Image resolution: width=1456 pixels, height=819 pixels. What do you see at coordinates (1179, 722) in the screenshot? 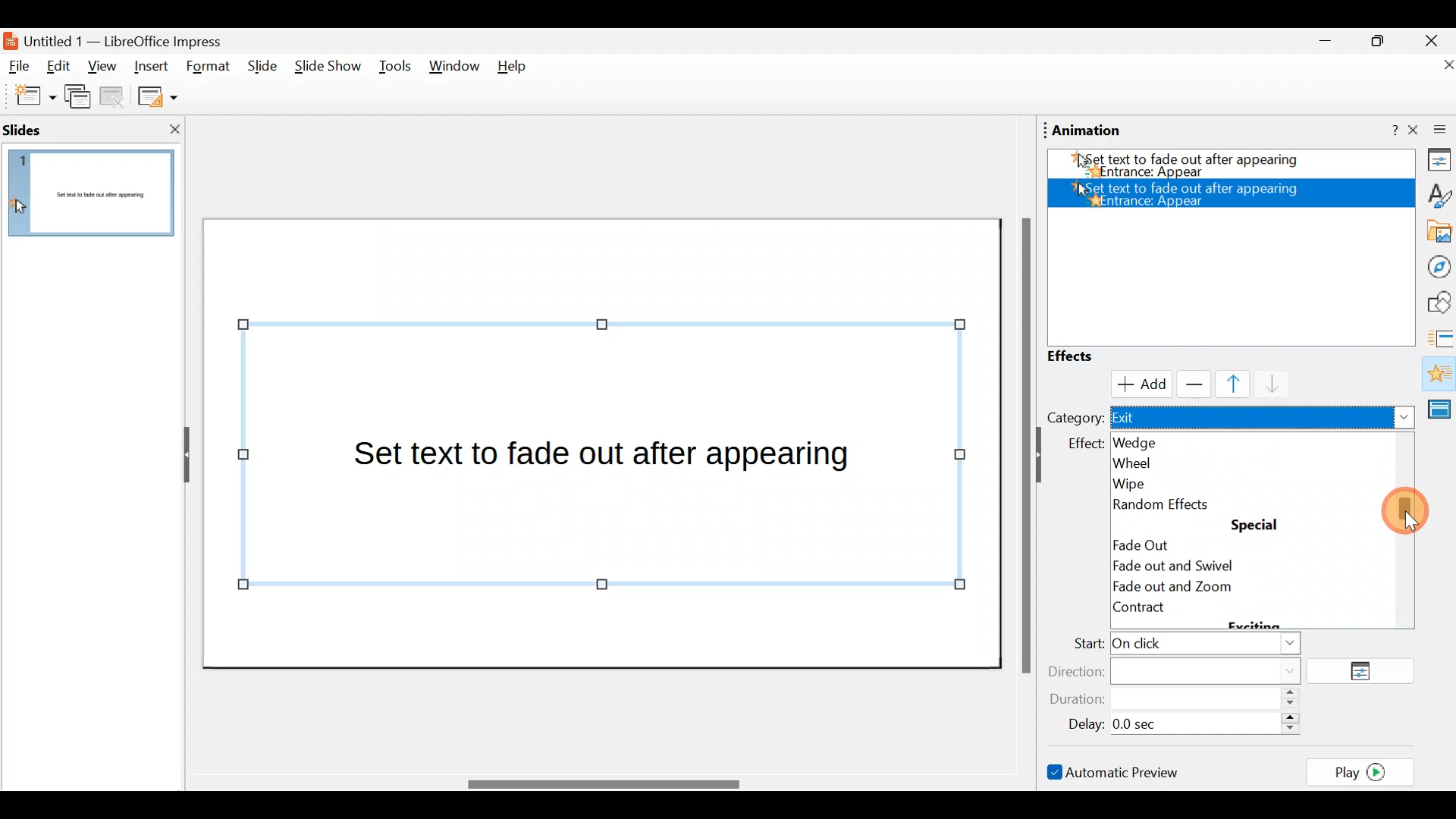
I see `Delay` at bounding box center [1179, 722].